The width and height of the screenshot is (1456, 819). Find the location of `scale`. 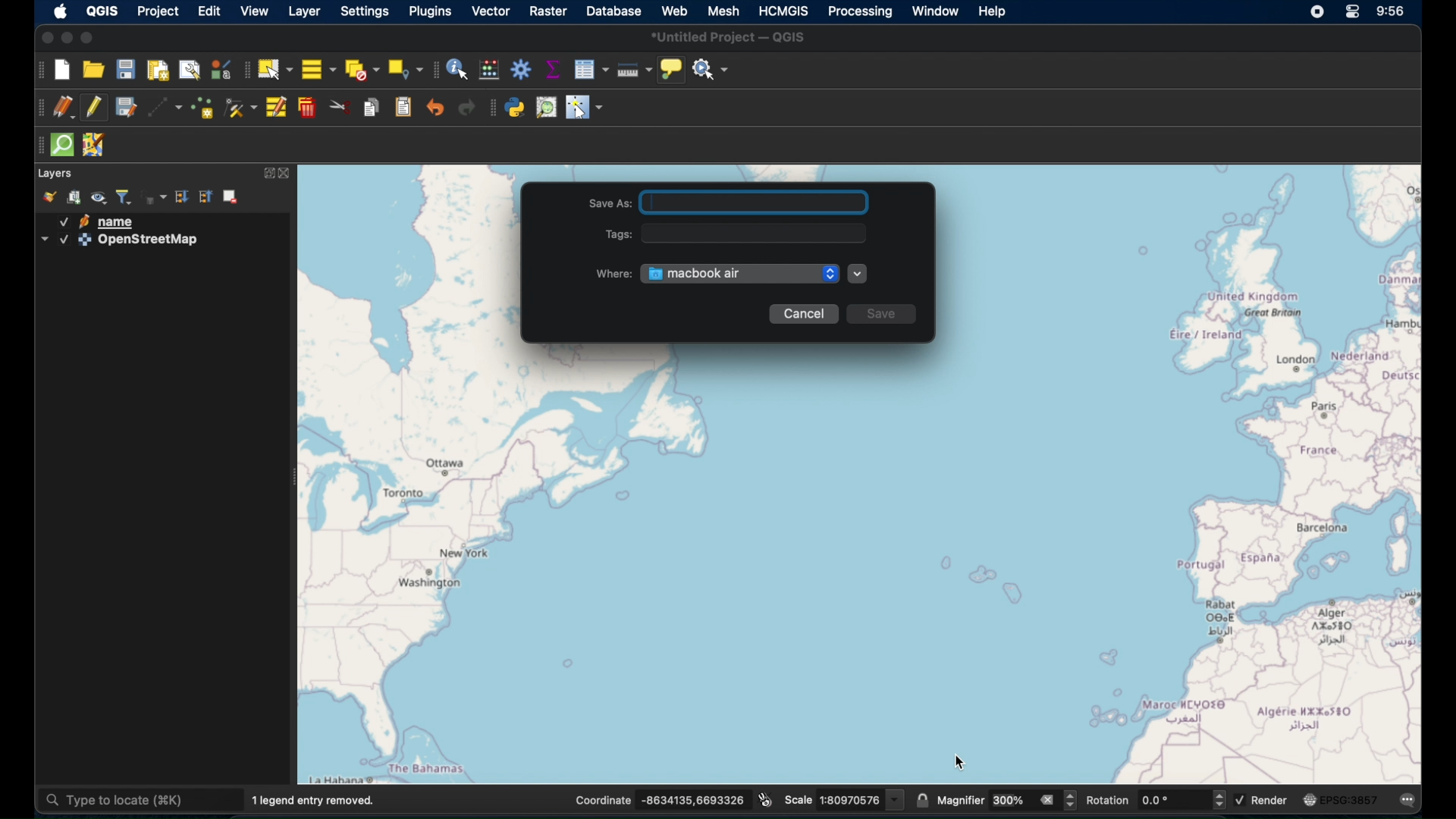

scale is located at coordinates (846, 799).